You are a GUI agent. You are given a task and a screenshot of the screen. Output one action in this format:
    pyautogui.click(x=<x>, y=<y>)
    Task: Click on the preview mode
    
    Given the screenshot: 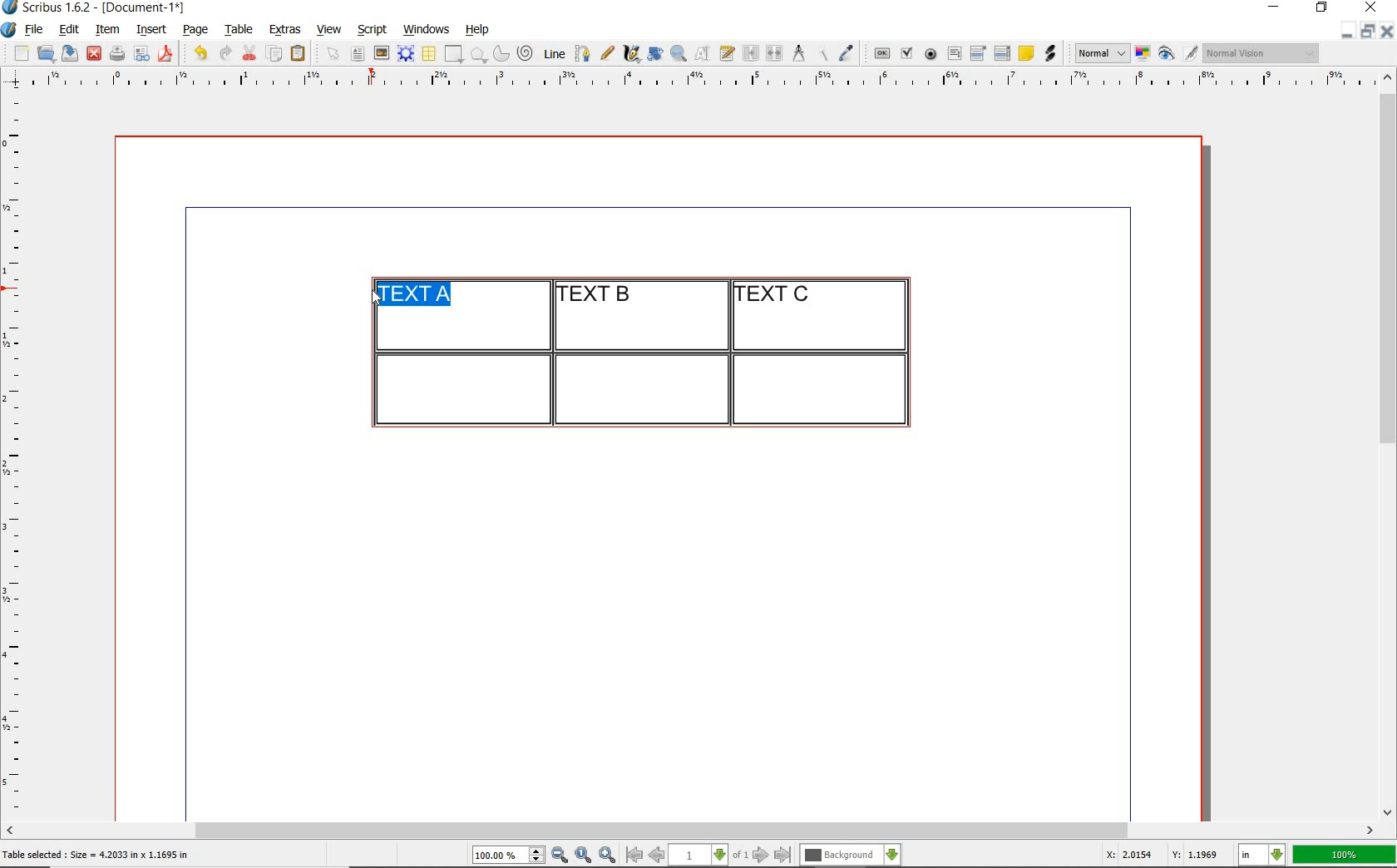 What is the action you would take?
    pyautogui.click(x=1178, y=54)
    